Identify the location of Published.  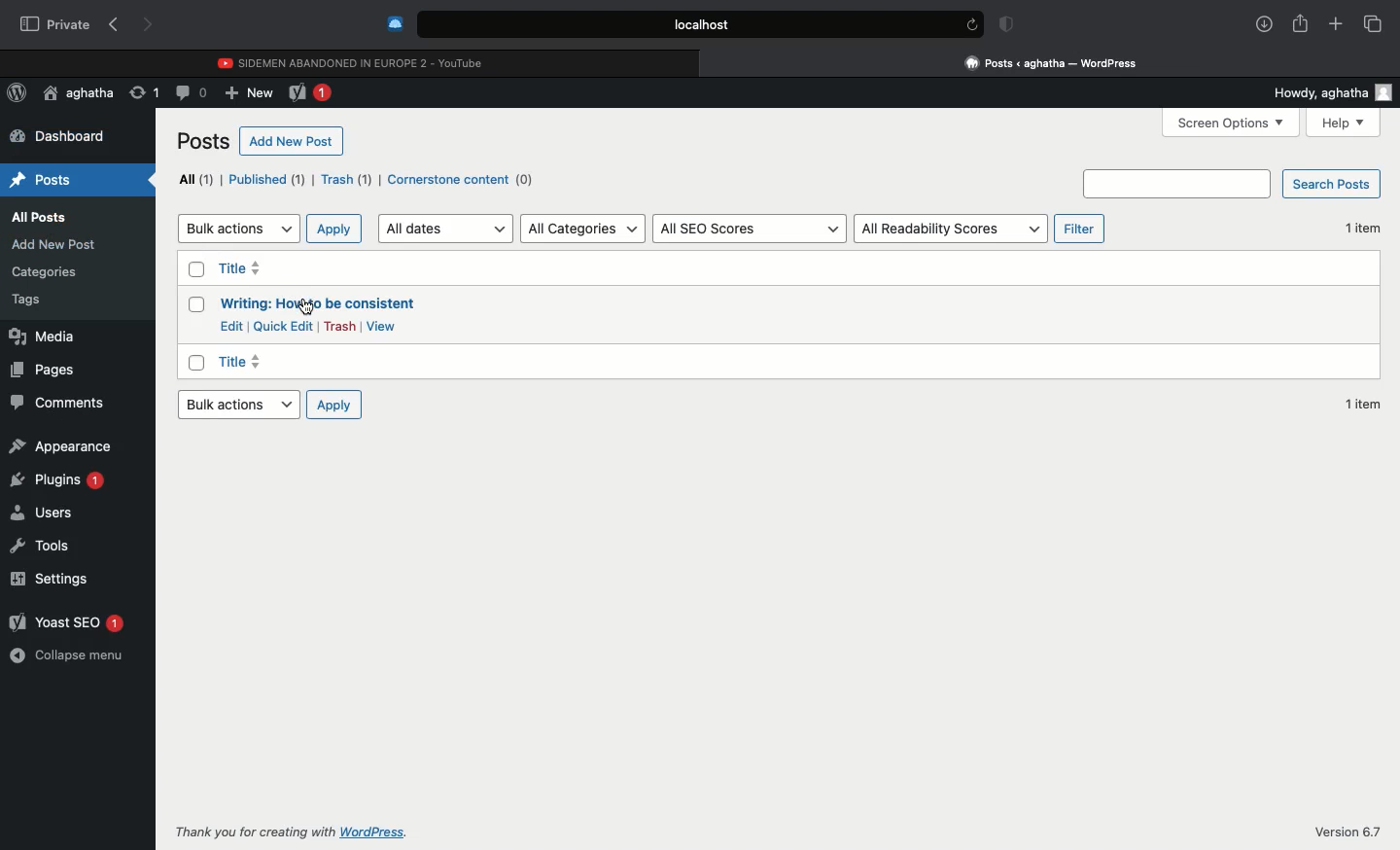
(267, 180).